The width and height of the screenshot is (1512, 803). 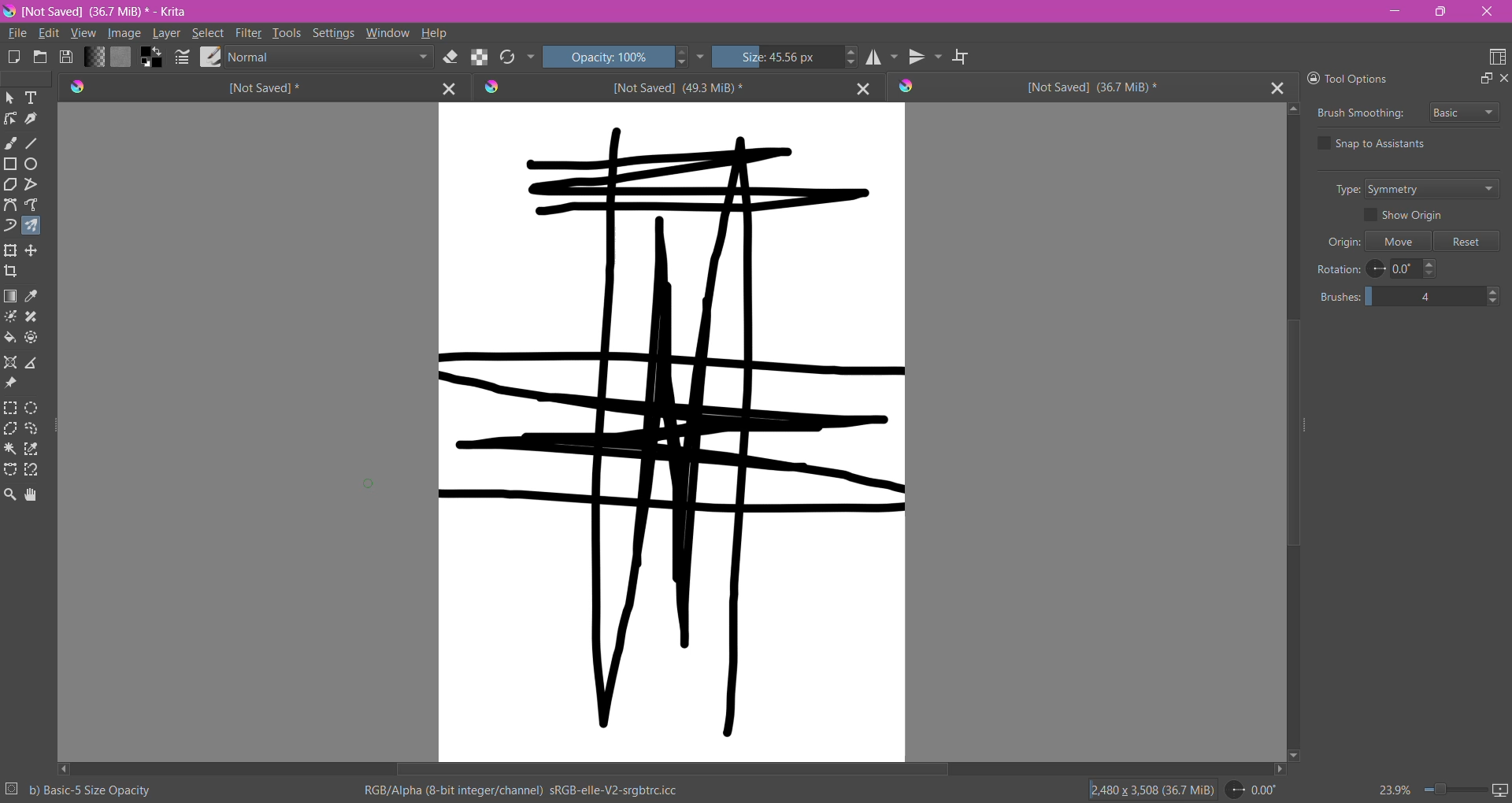 What do you see at coordinates (35, 296) in the screenshot?
I see `Sample a color from the image or current layer` at bounding box center [35, 296].